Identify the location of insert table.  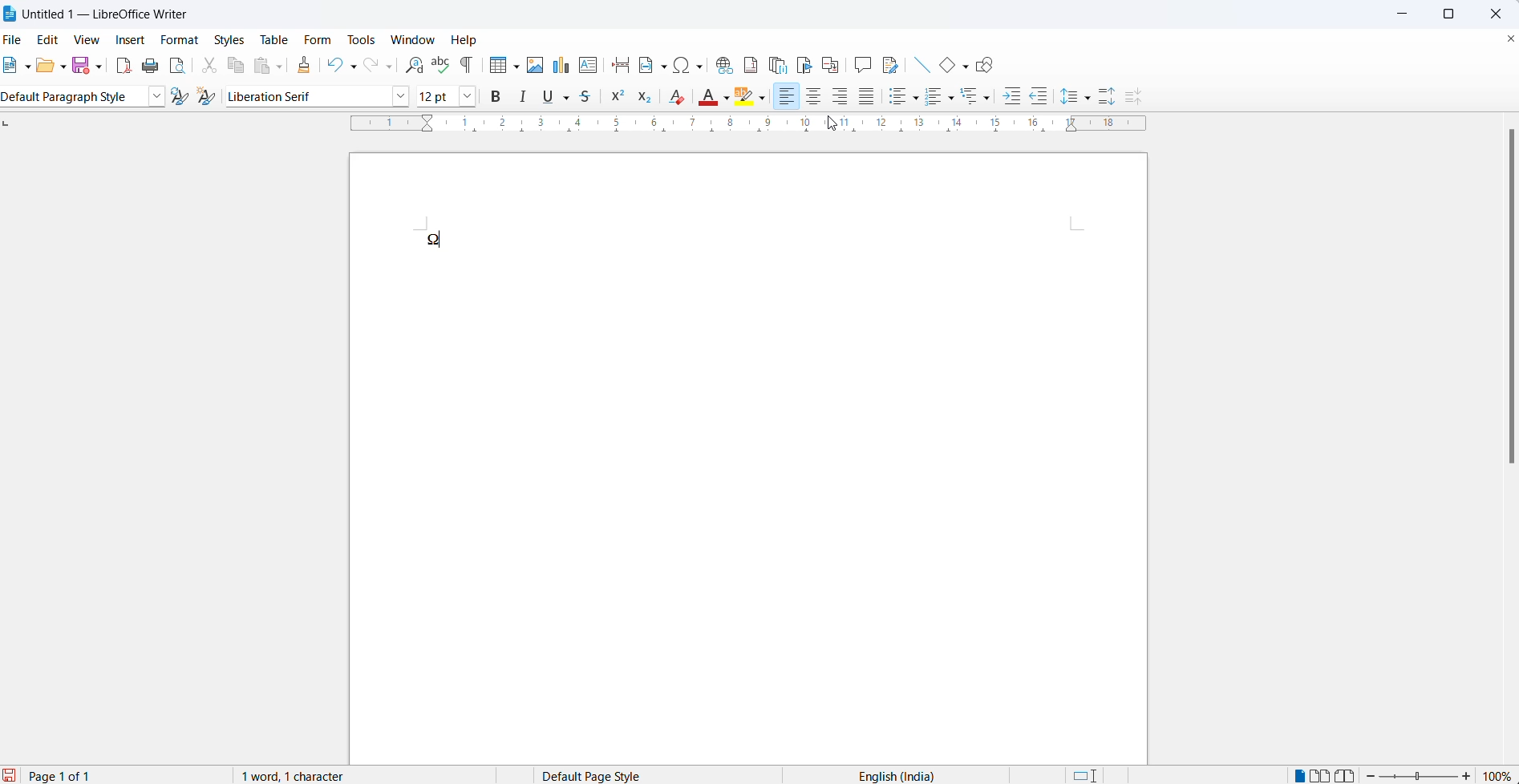
(492, 66).